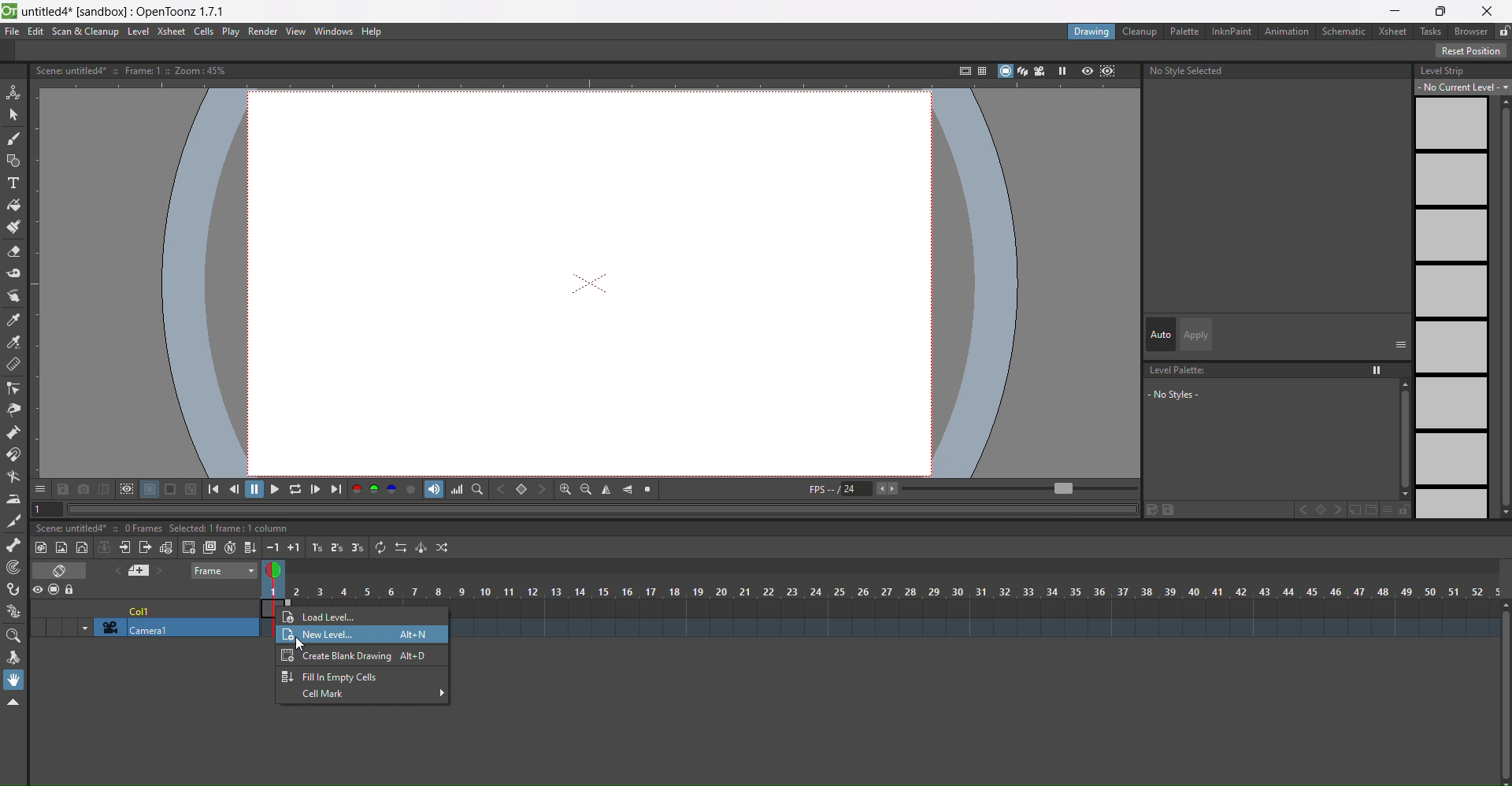  What do you see at coordinates (15, 321) in the screenshot?
I see `style picker` at bounding box center [15, 321].